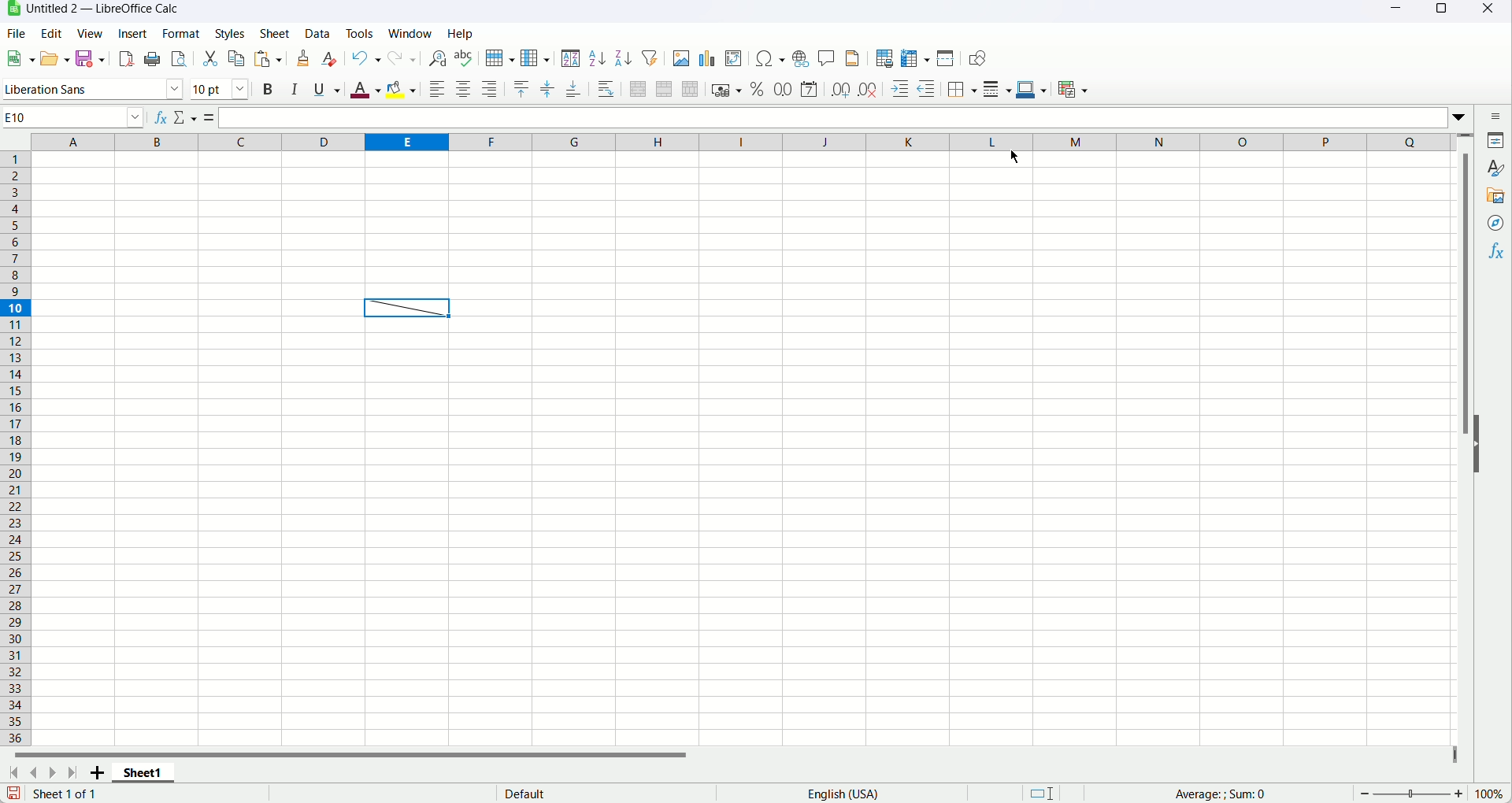  Describe the element at coordinates (548, 87) in the screenshot. I see `center vertically` at that location.